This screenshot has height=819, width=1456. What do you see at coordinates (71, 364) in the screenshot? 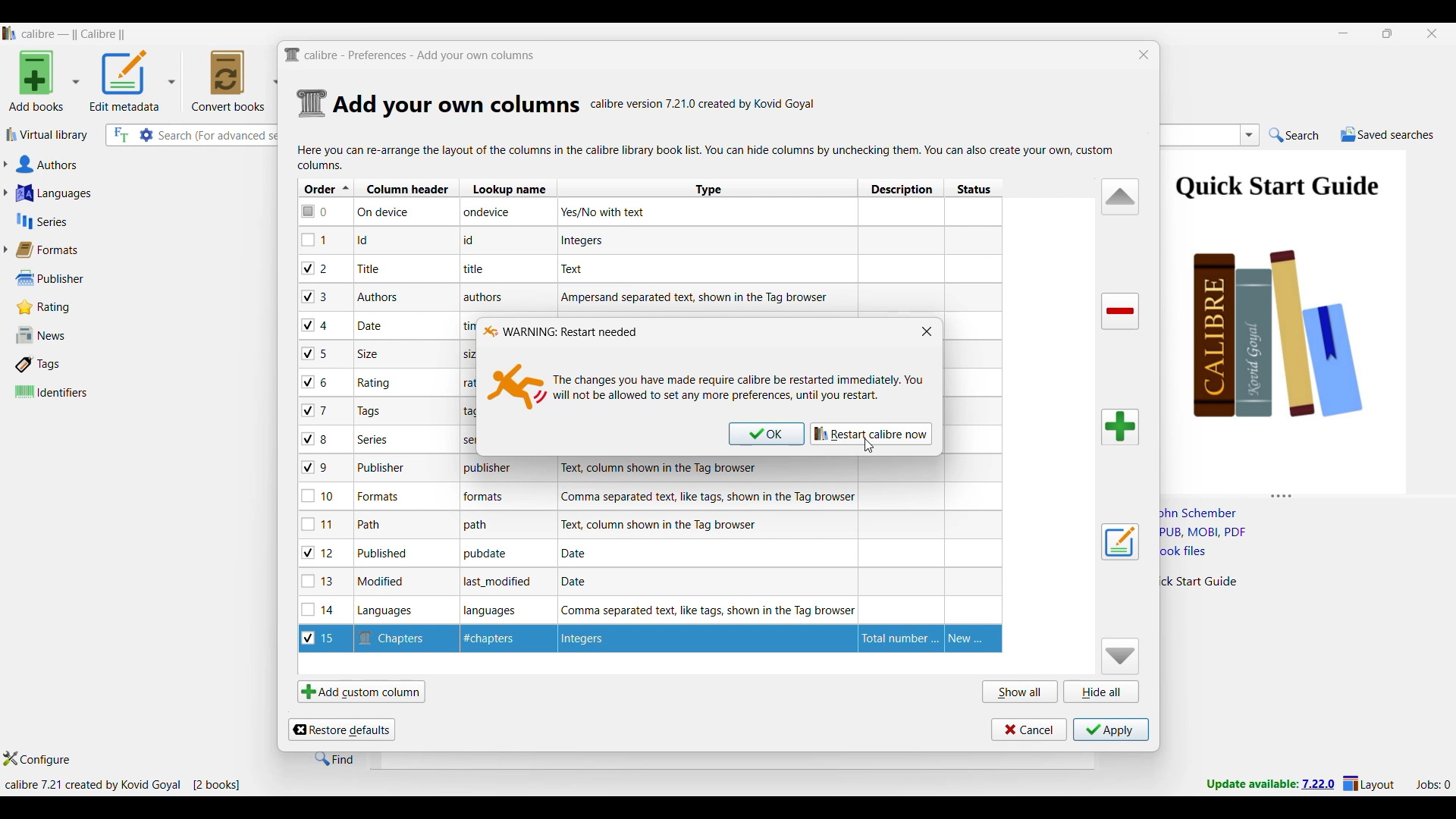
I see `Tags` at bounding box center [71, 364].